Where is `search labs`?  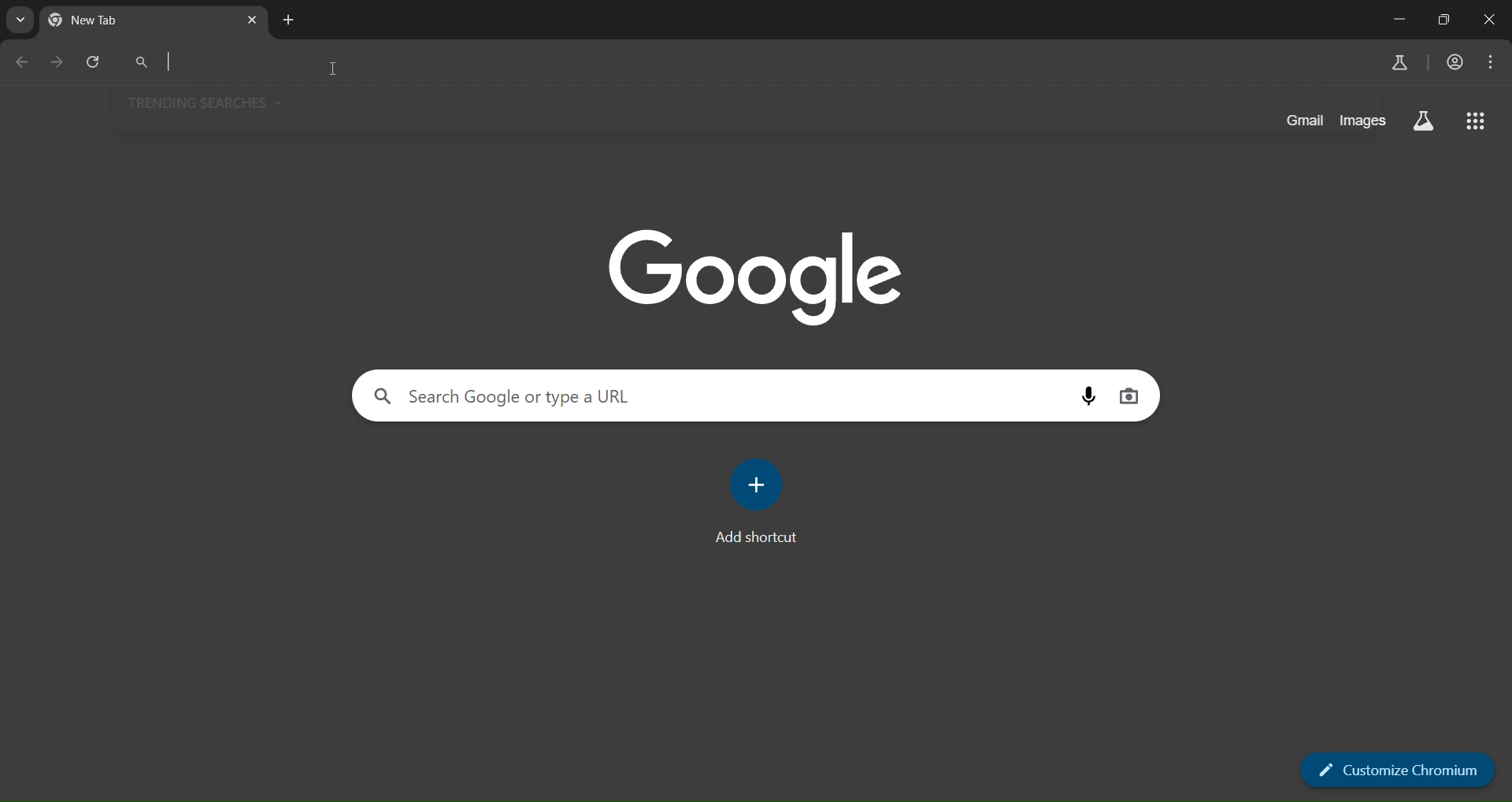 search labs is located at coordinates (1423, 122).